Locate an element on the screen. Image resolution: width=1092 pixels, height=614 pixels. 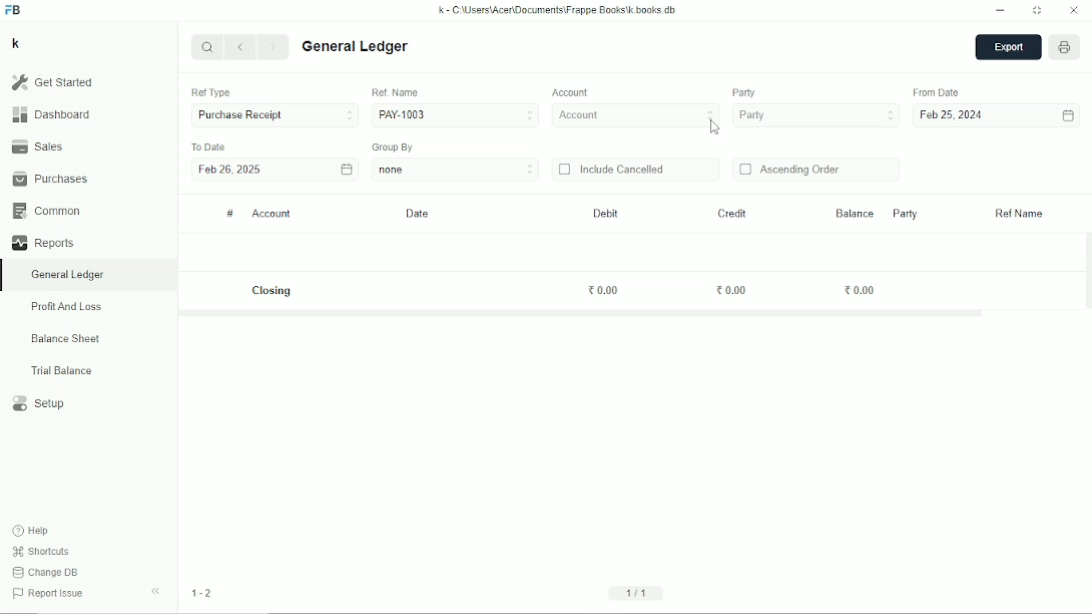
General ledger is located at coordinates (68, 275).